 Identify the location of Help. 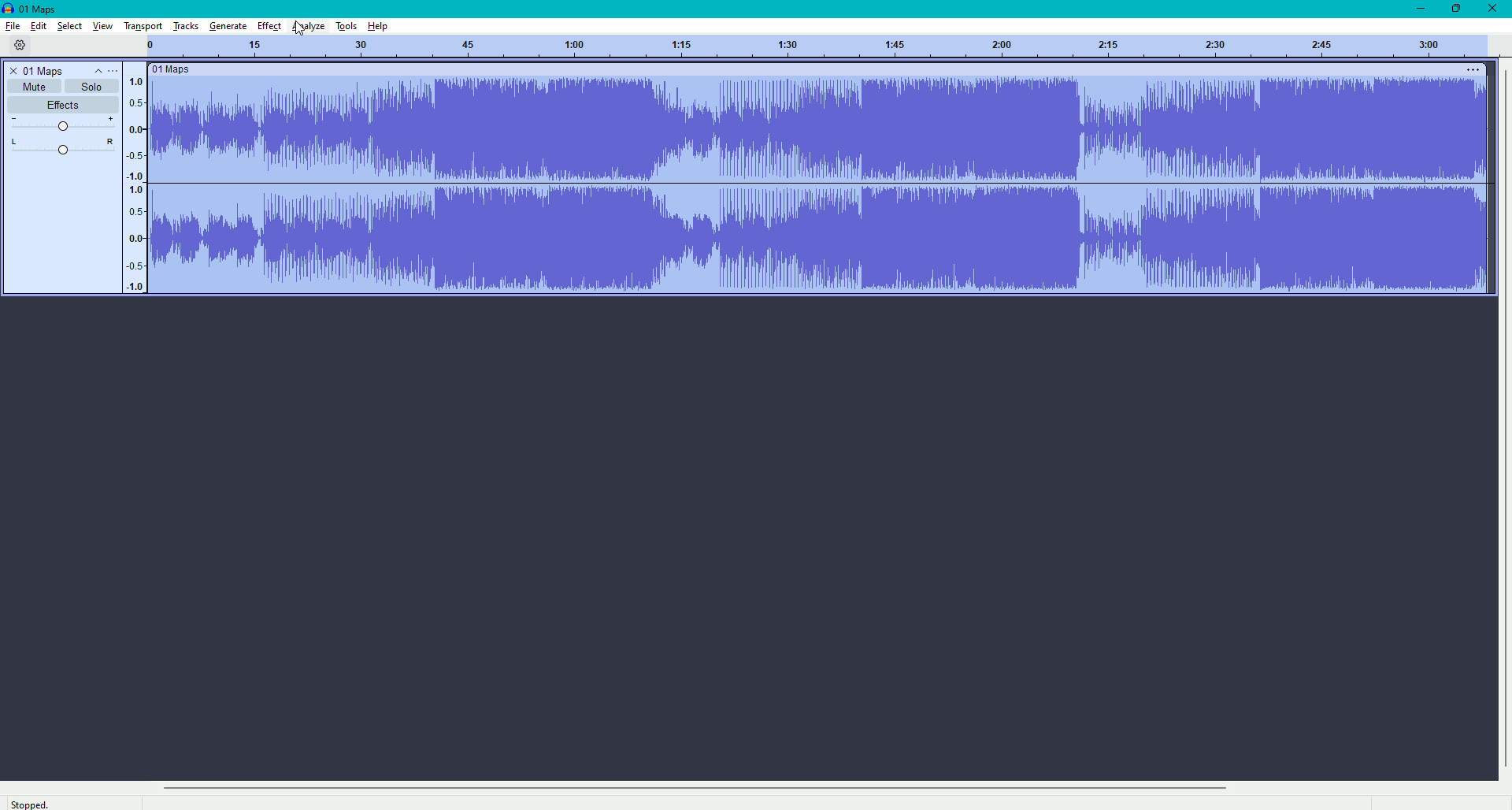
(375, 25).